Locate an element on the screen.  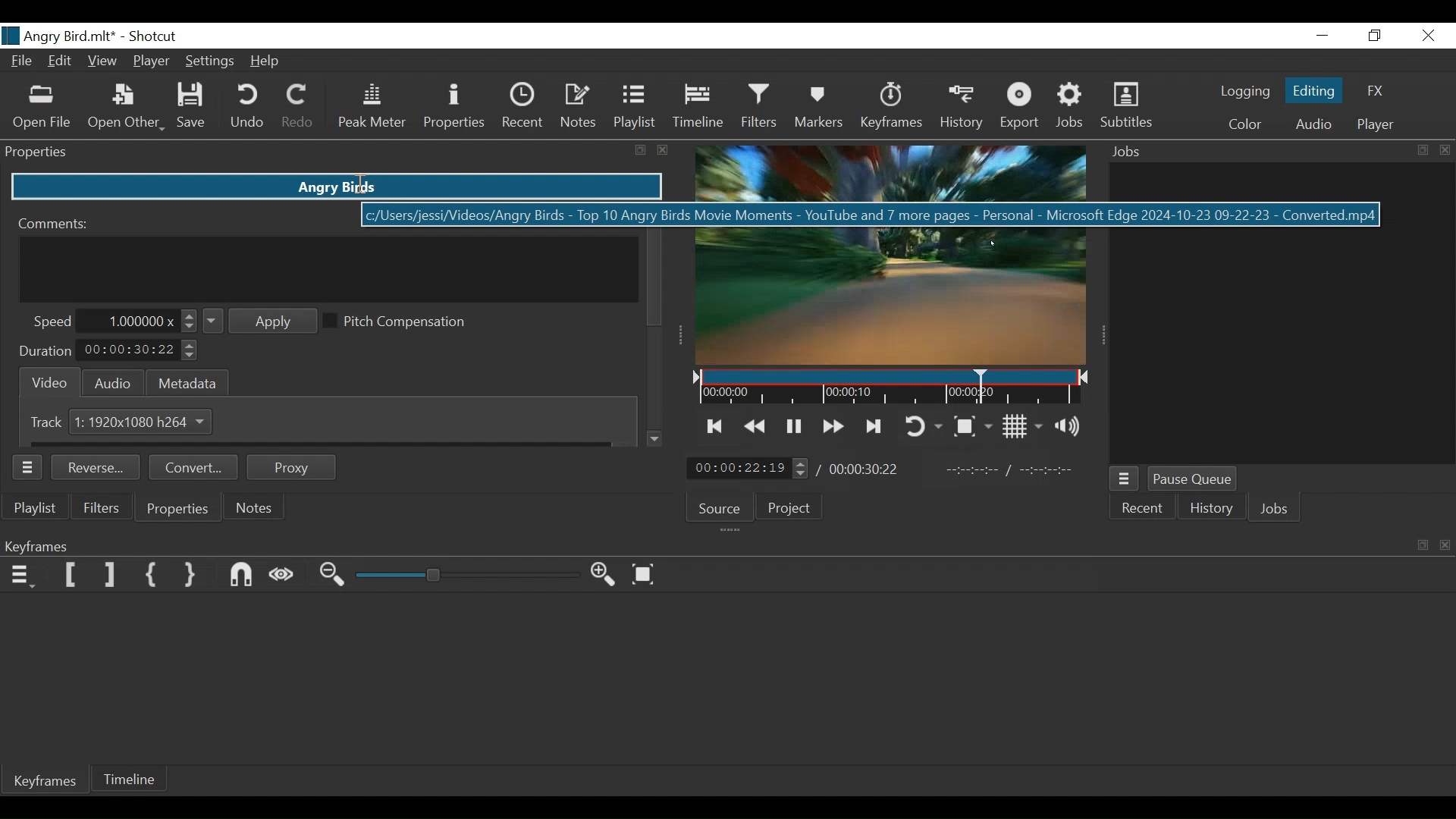
Jobs is located at coordinates (1072, 108).